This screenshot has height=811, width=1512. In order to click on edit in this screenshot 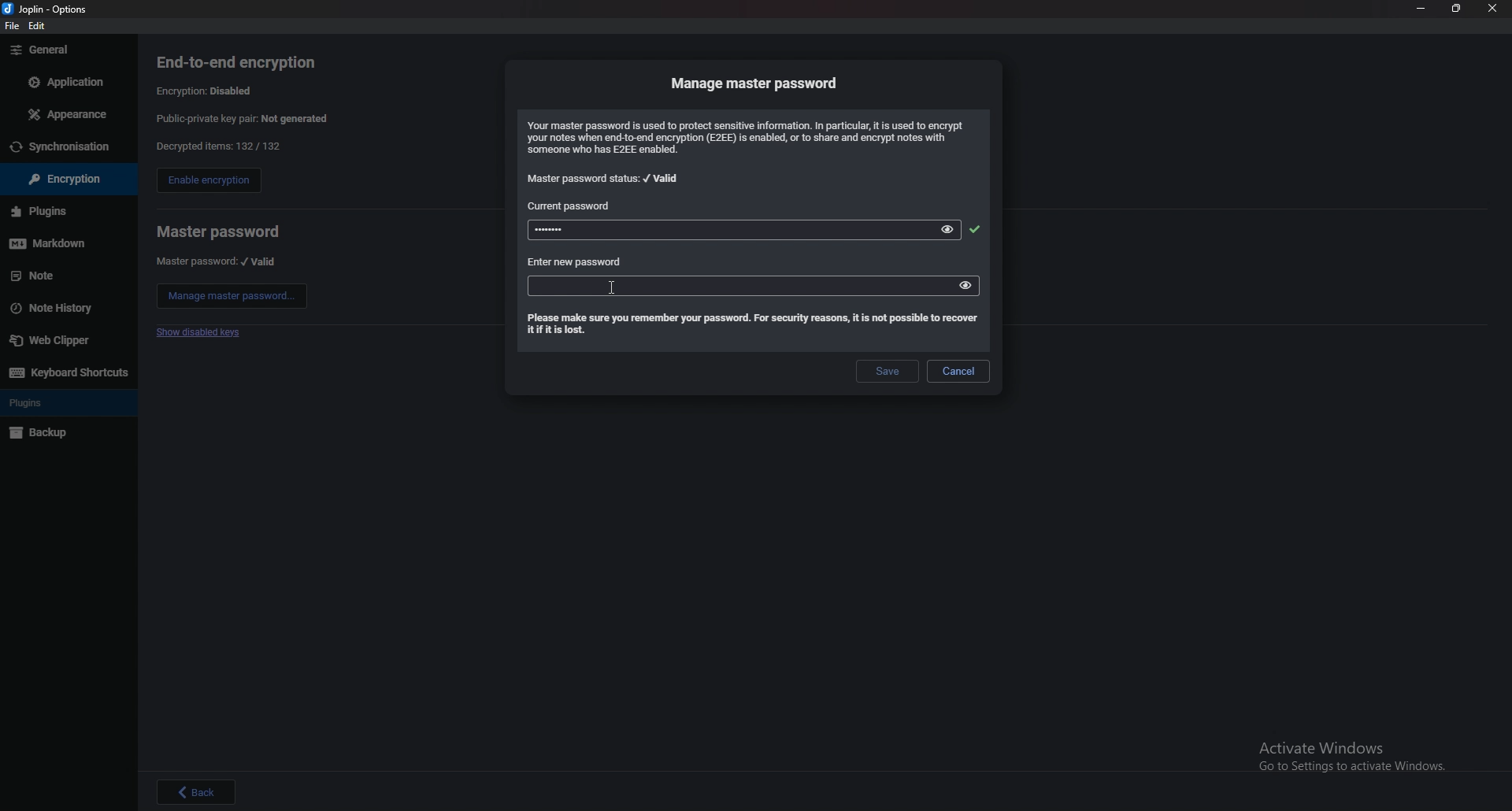, I will do `click(40, 25)`.